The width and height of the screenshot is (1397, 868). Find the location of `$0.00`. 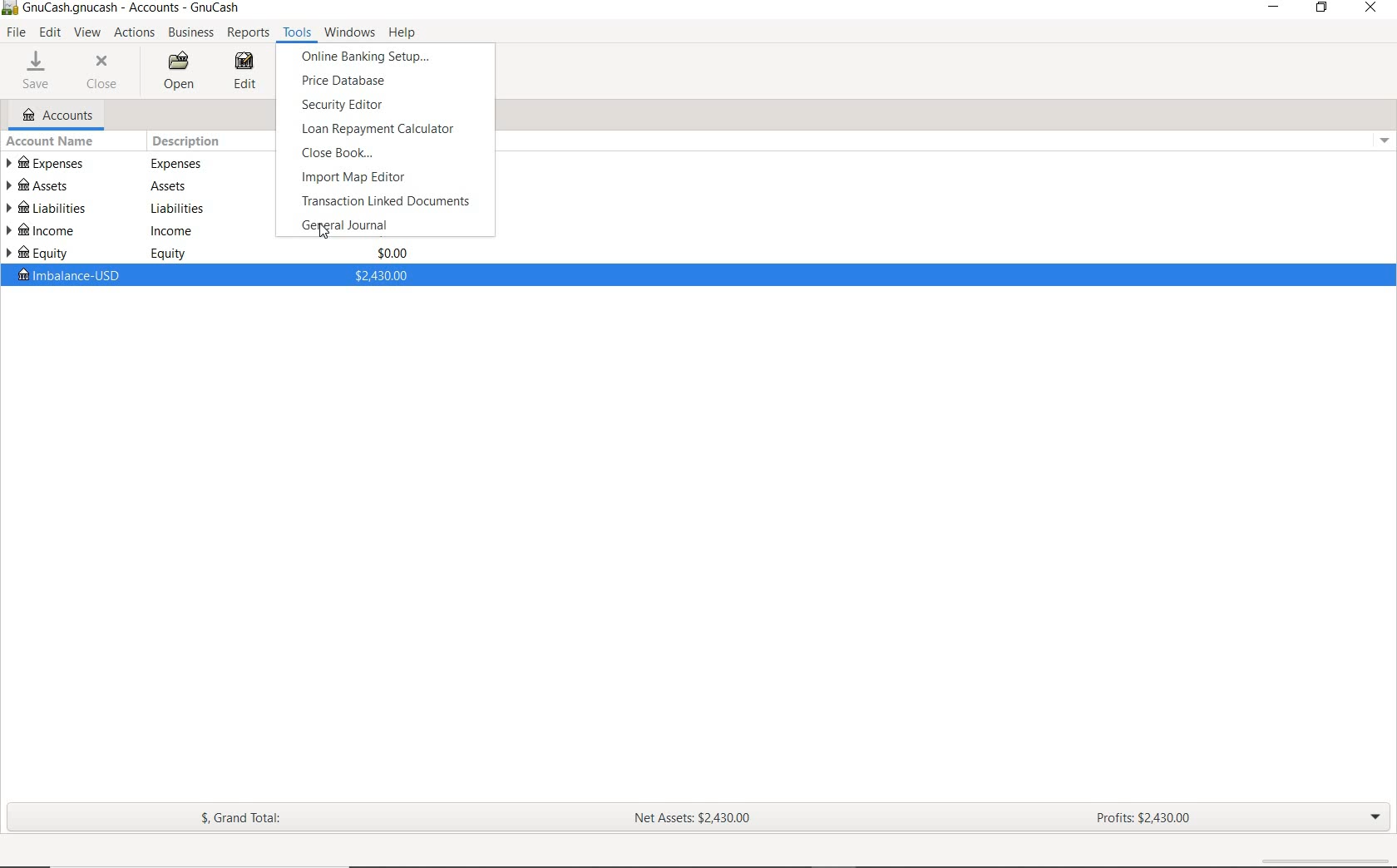

$0.00 is located at coordinates (392, 253).